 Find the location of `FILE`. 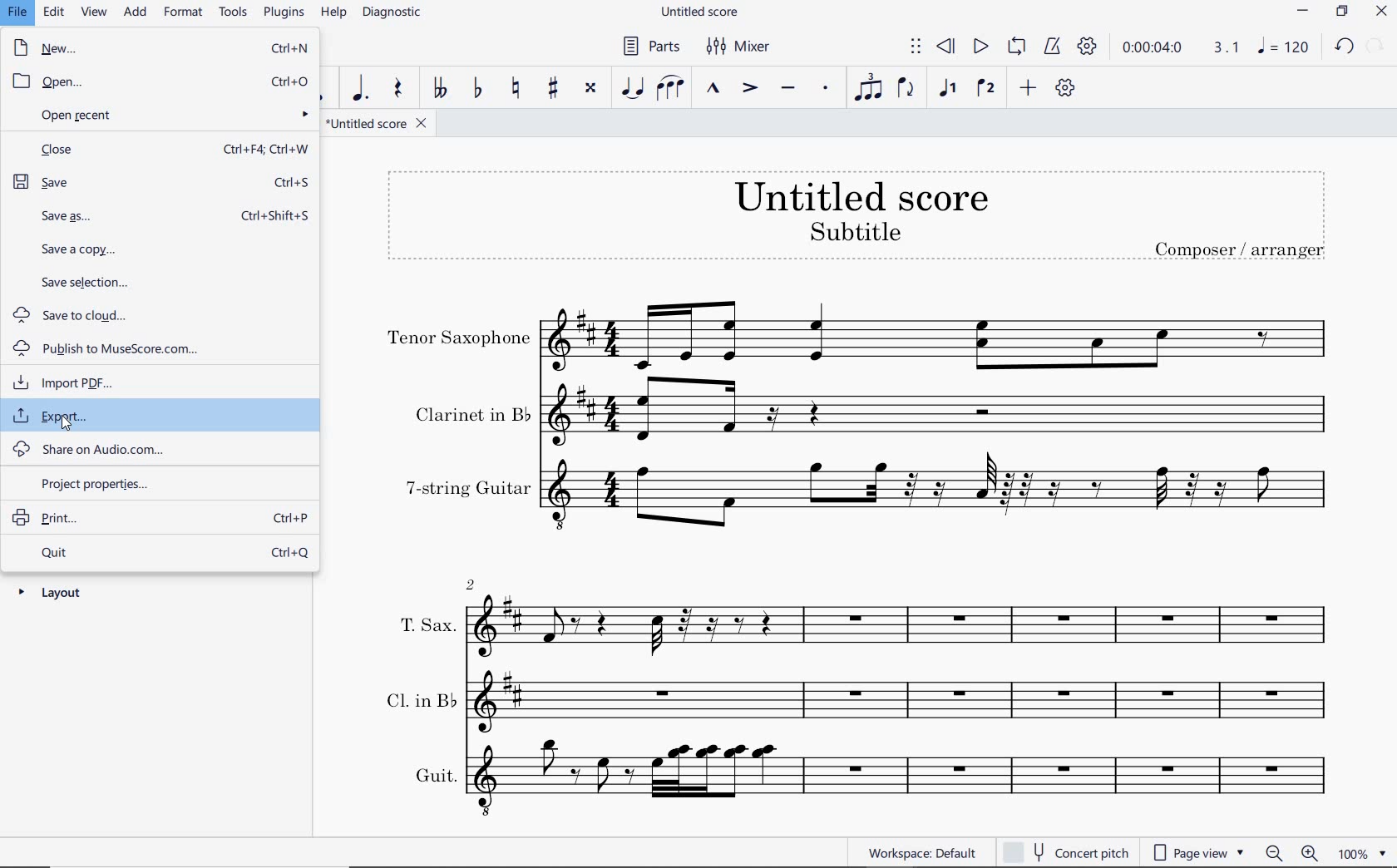

FILE is located at coordinates (17, 13).